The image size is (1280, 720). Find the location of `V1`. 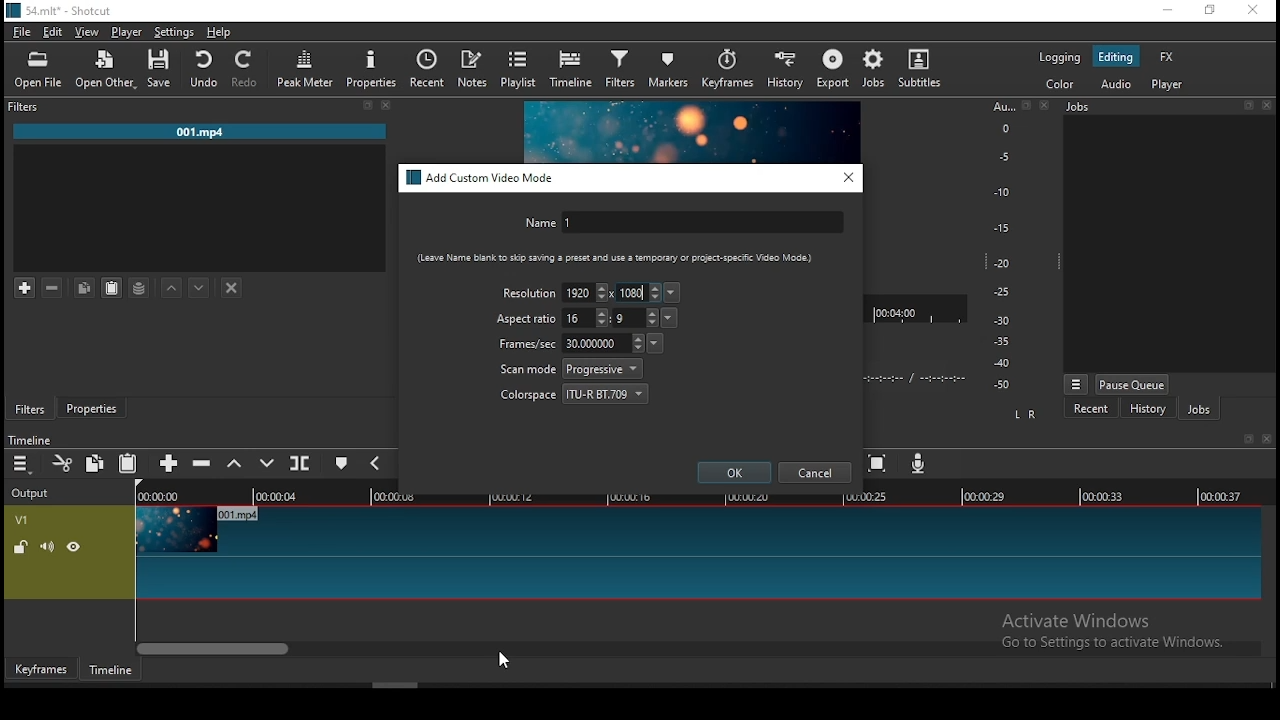

V1 is located at coordinates (20, 520).